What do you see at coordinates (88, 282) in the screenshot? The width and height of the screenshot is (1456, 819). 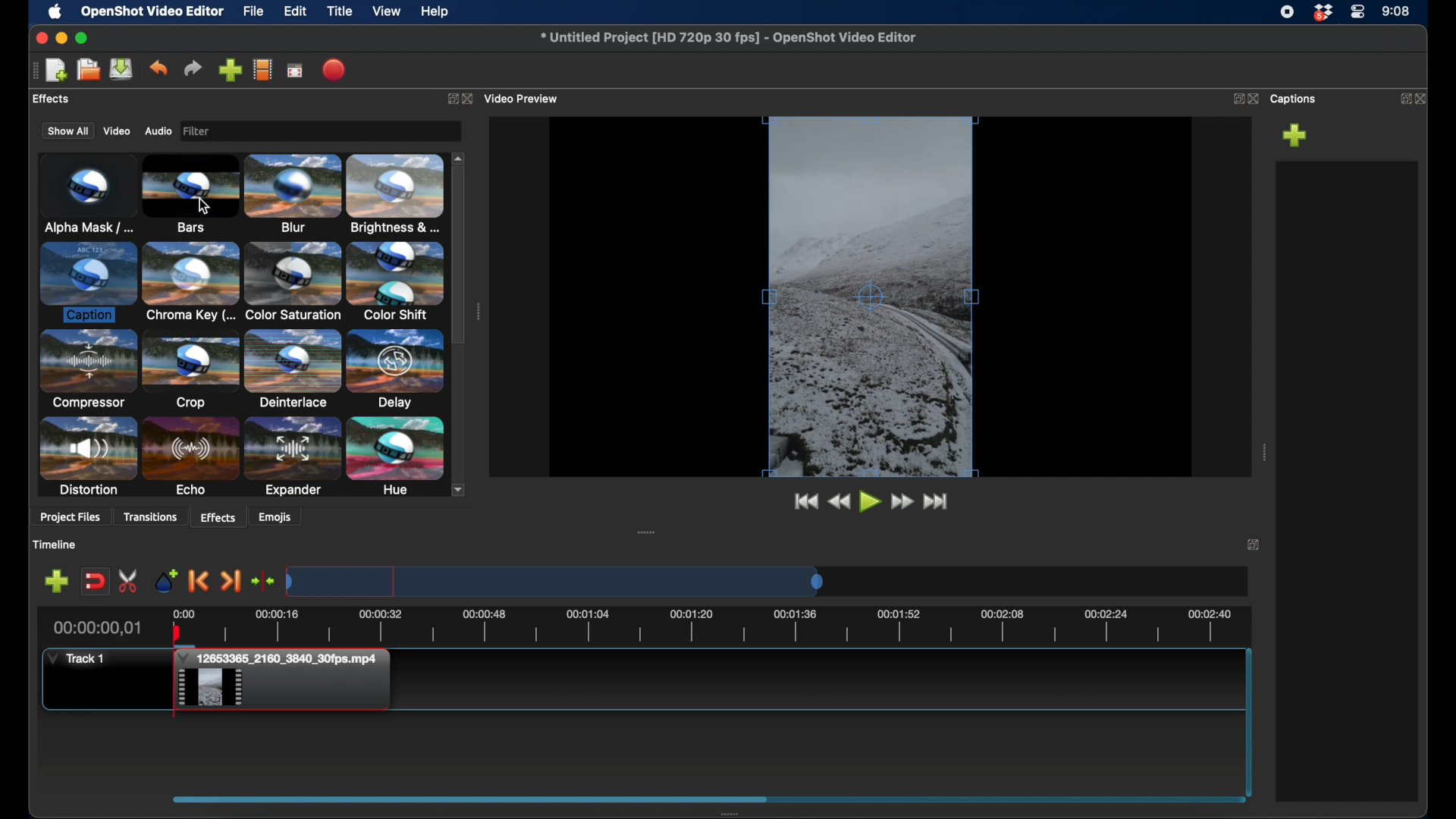 I see `caption` at bounding box center [88, 282].